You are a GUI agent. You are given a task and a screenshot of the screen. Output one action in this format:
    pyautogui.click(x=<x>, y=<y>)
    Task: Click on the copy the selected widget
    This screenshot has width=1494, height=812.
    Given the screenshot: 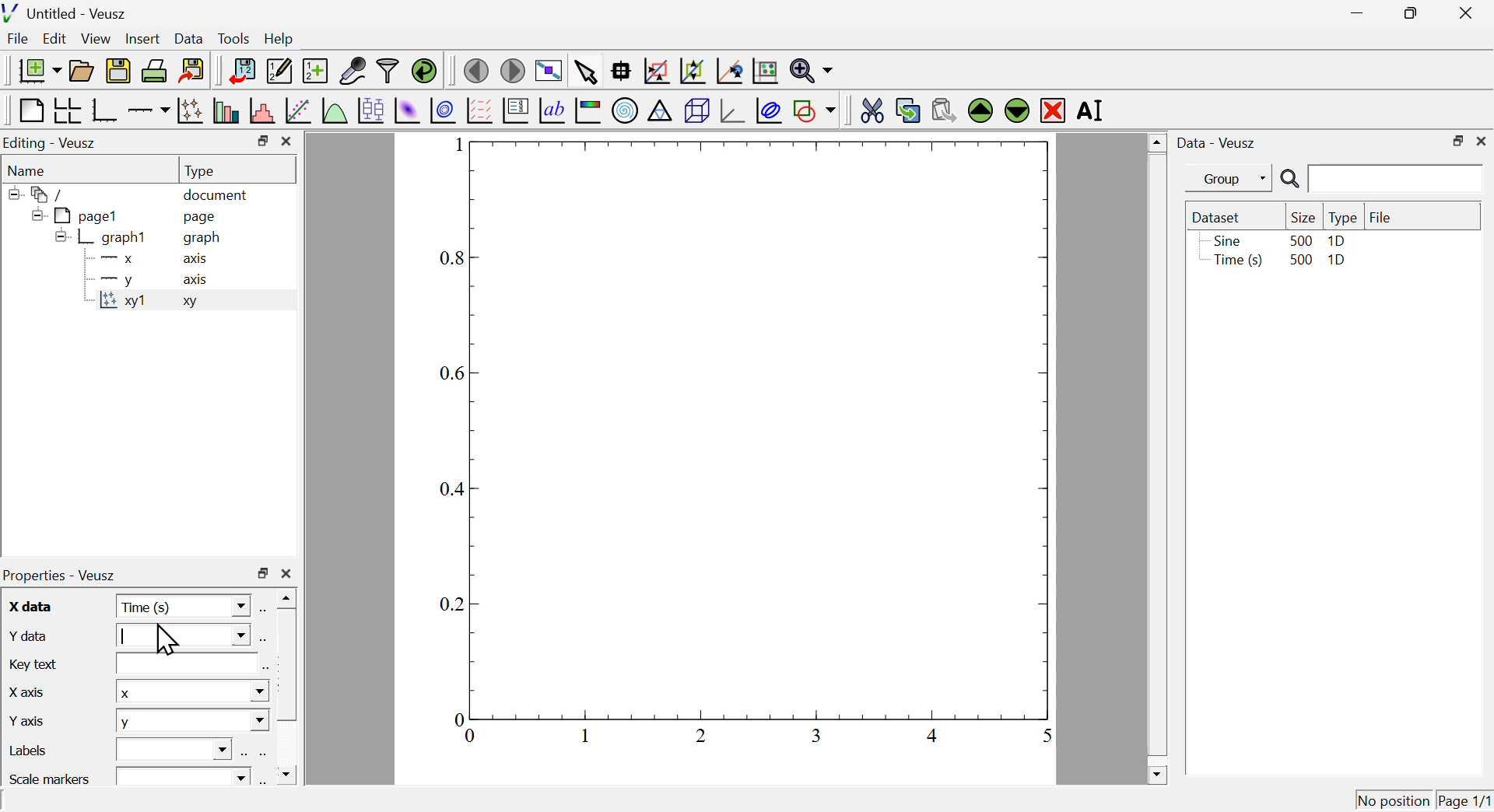 What is the action you would take?
    pyautogui.click(x=908, y=109)
    